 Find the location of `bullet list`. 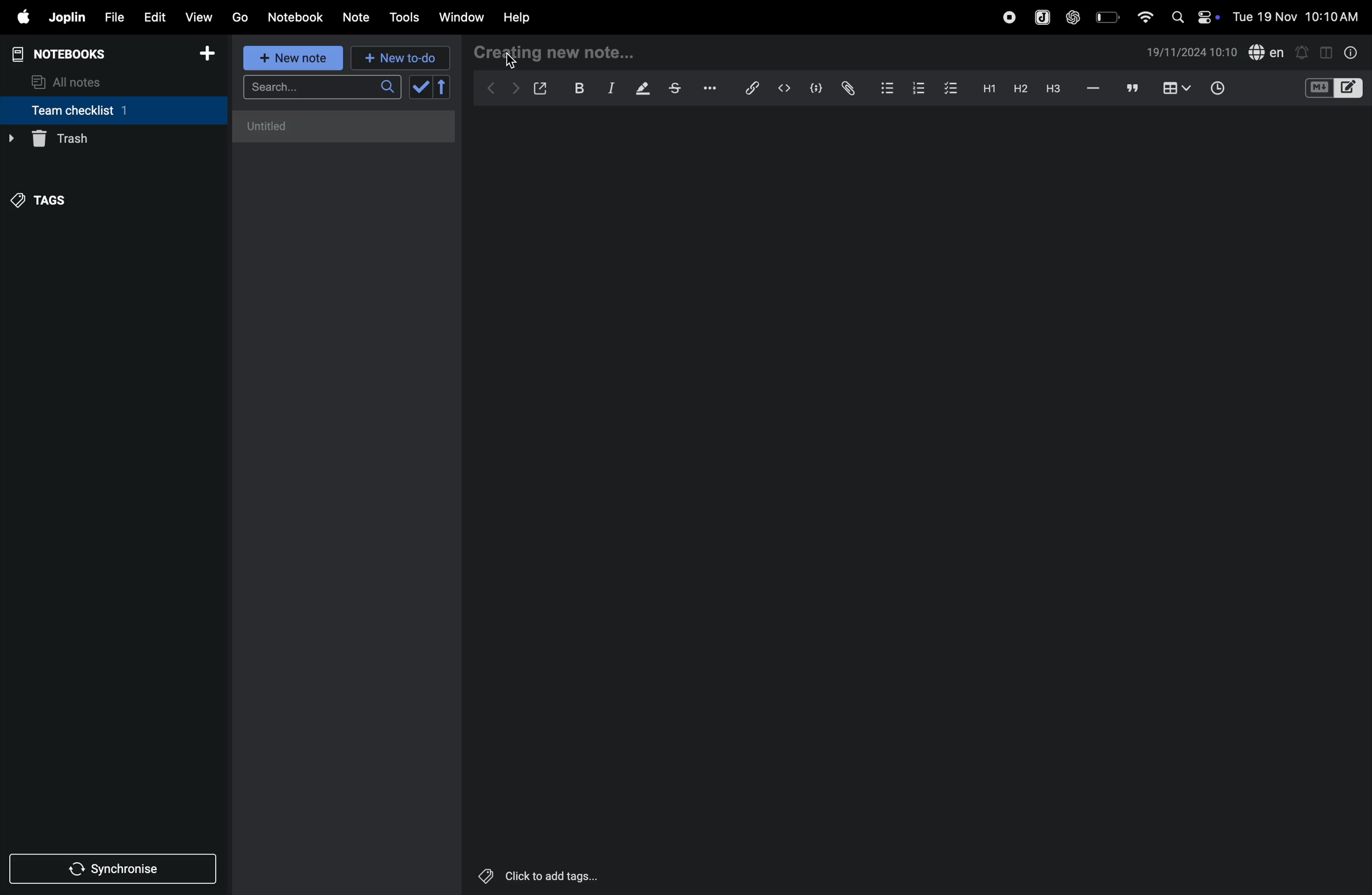

bullet list is located at coordinates (884, 88).